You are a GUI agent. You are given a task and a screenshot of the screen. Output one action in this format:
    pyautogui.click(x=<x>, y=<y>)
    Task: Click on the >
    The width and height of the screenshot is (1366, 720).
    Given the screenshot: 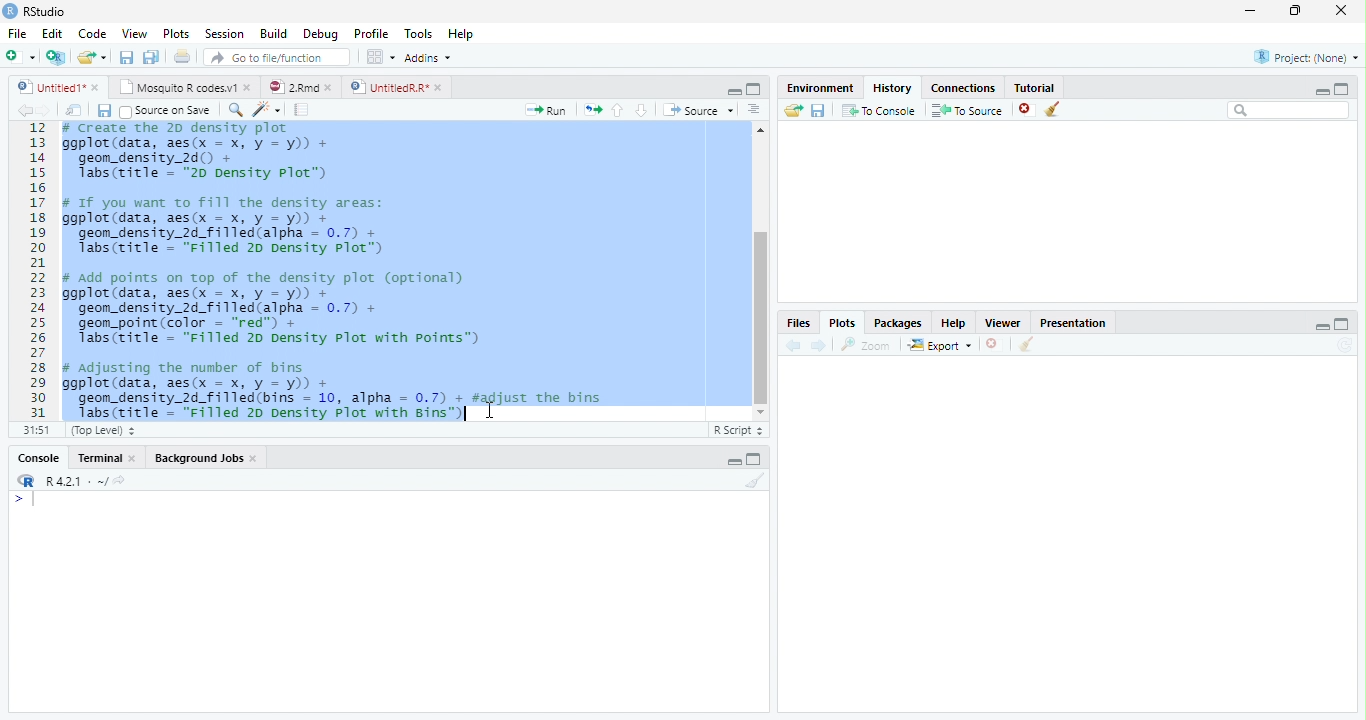 What is the action you would take?
    pyautogui.click(x=24, y=500)
    